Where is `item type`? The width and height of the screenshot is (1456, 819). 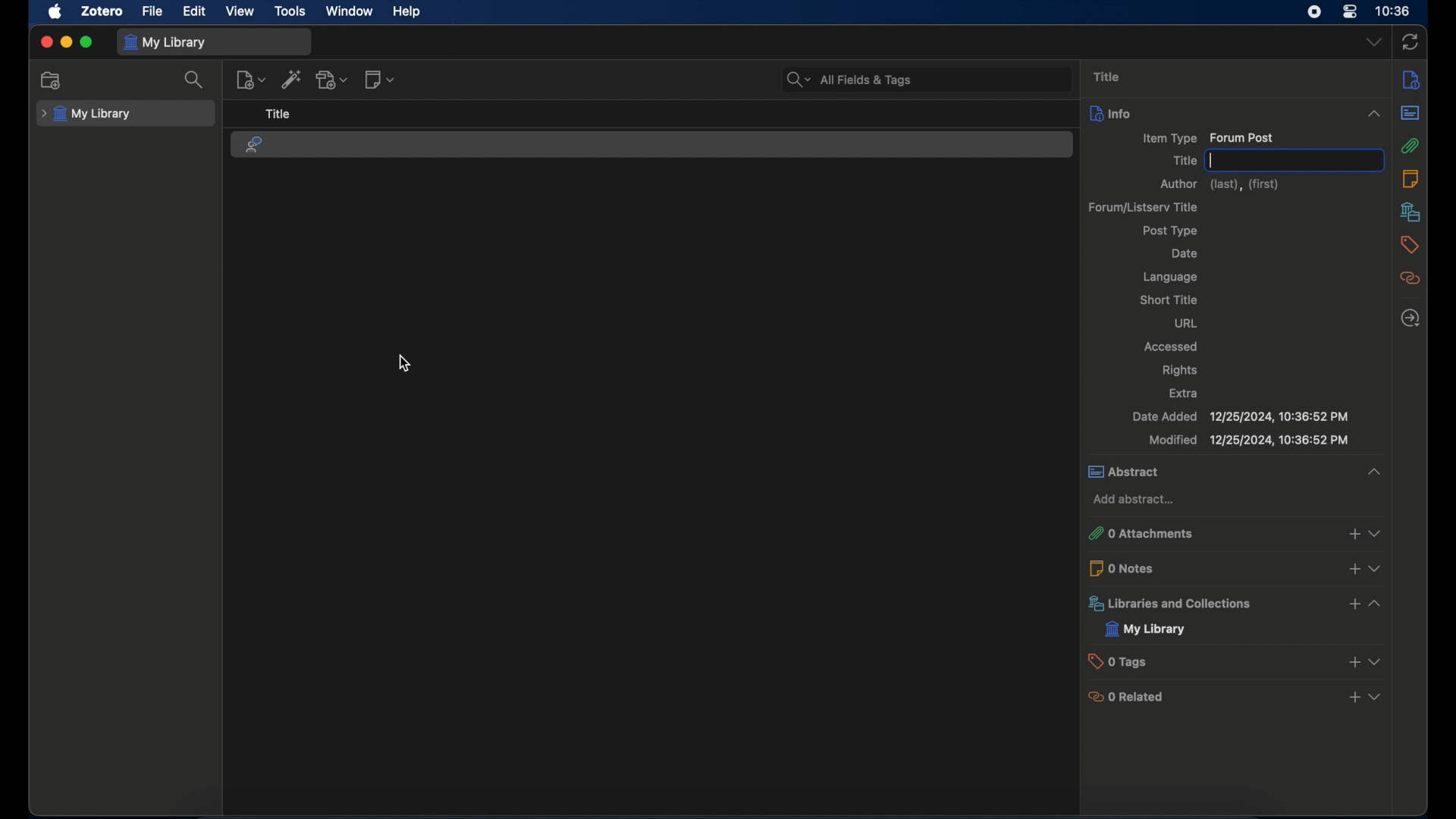 item type is located at coordinates (1210, 139).